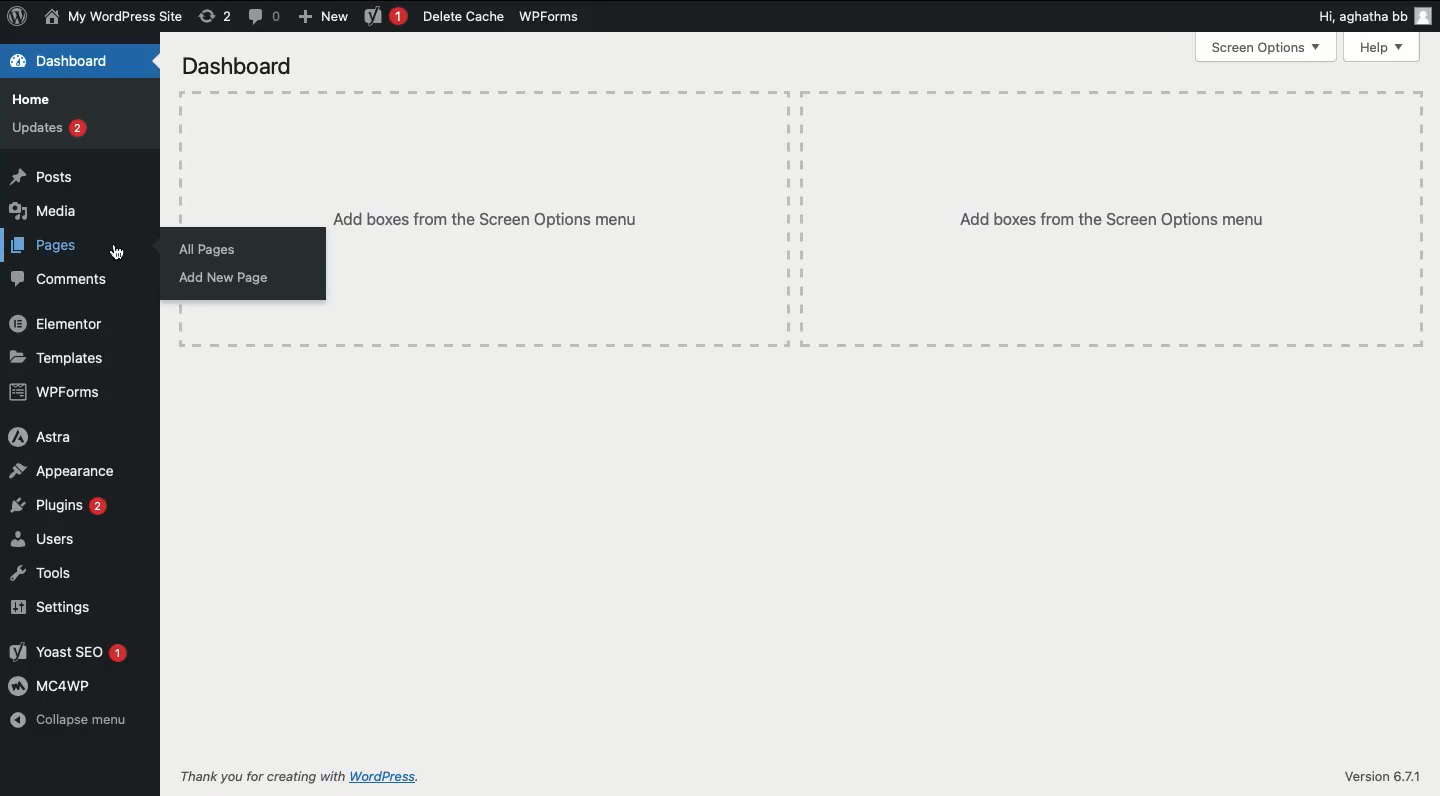 This screenshot has height=796, width=1440. What do you see at coordinates (462, 16) in the screenshot?
I see `Delete cache` at bounding box center [462, 16].